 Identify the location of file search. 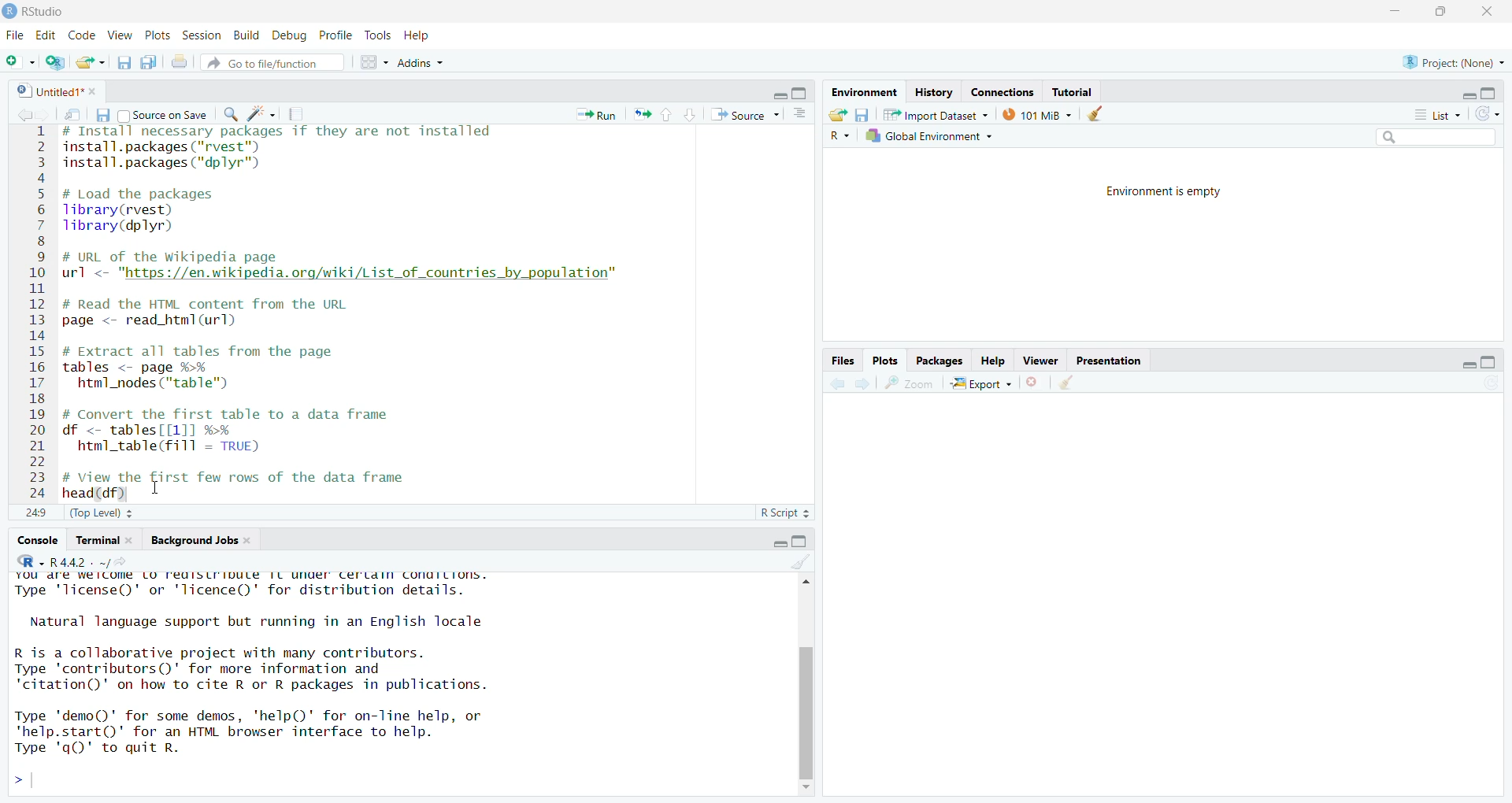
(272, 62).